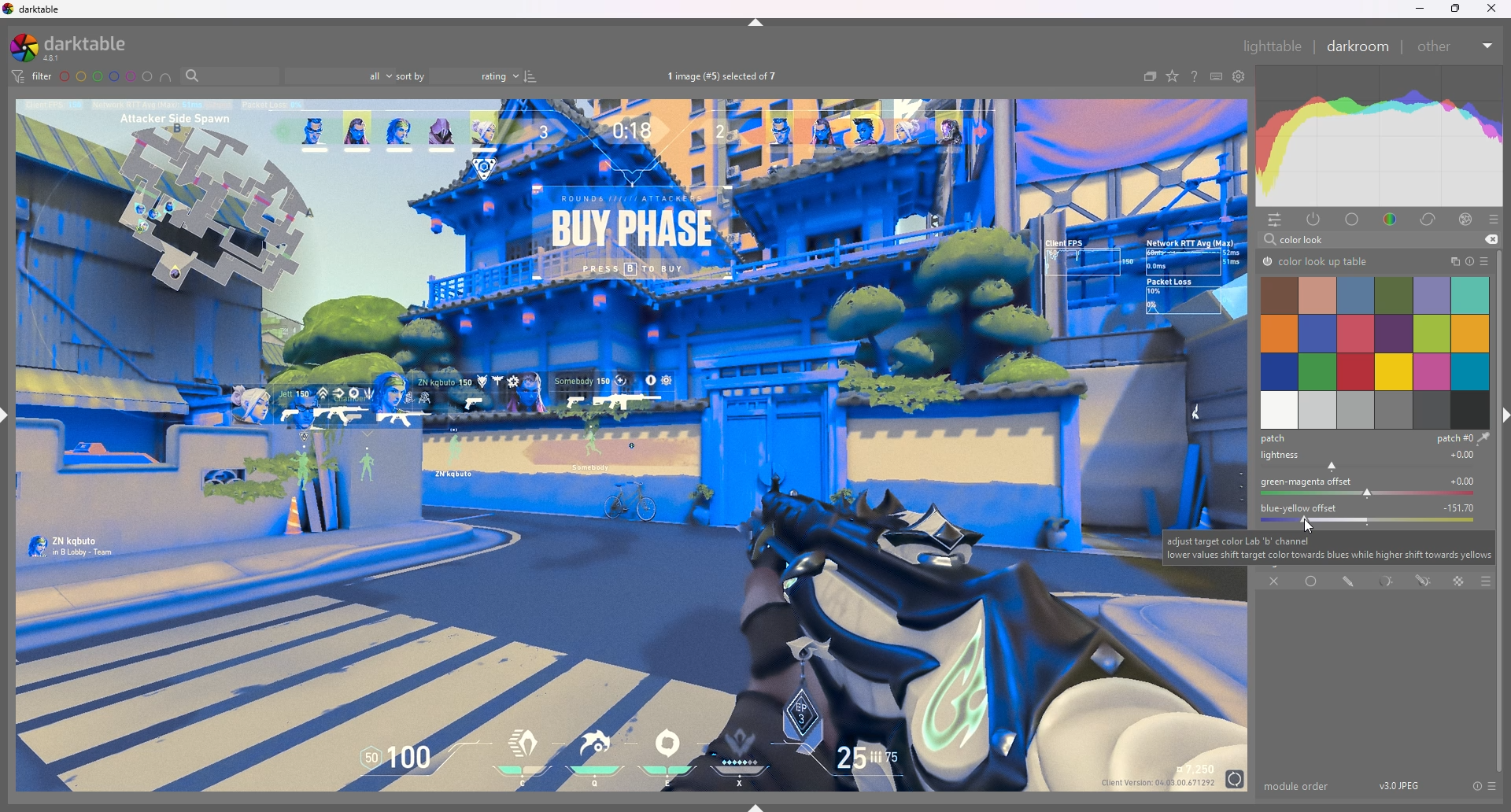 This screenshot has width=1511, height=812. I want to click on close, so click(1491, 8).